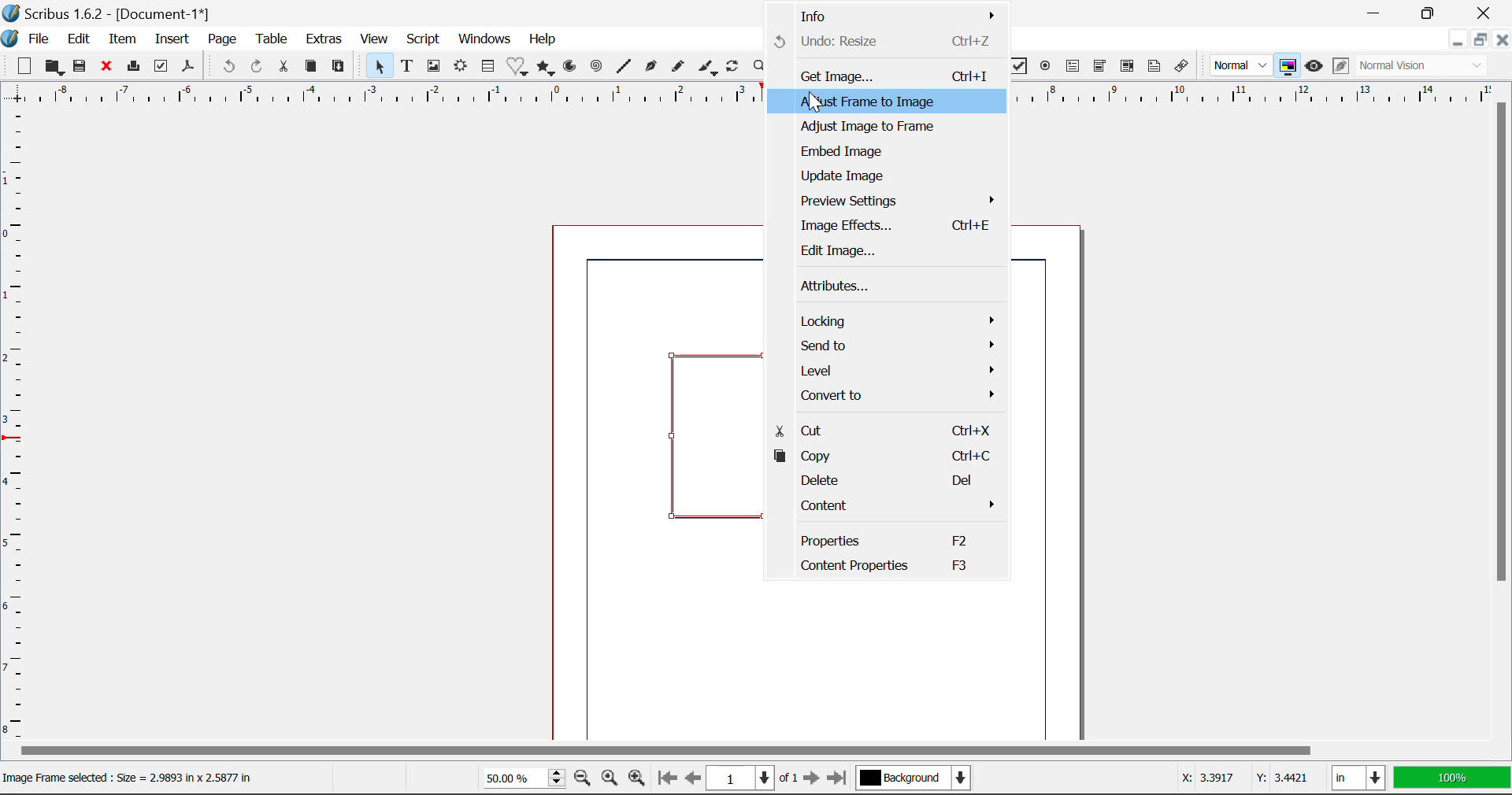  I want to click on Level, so click(892, 370).